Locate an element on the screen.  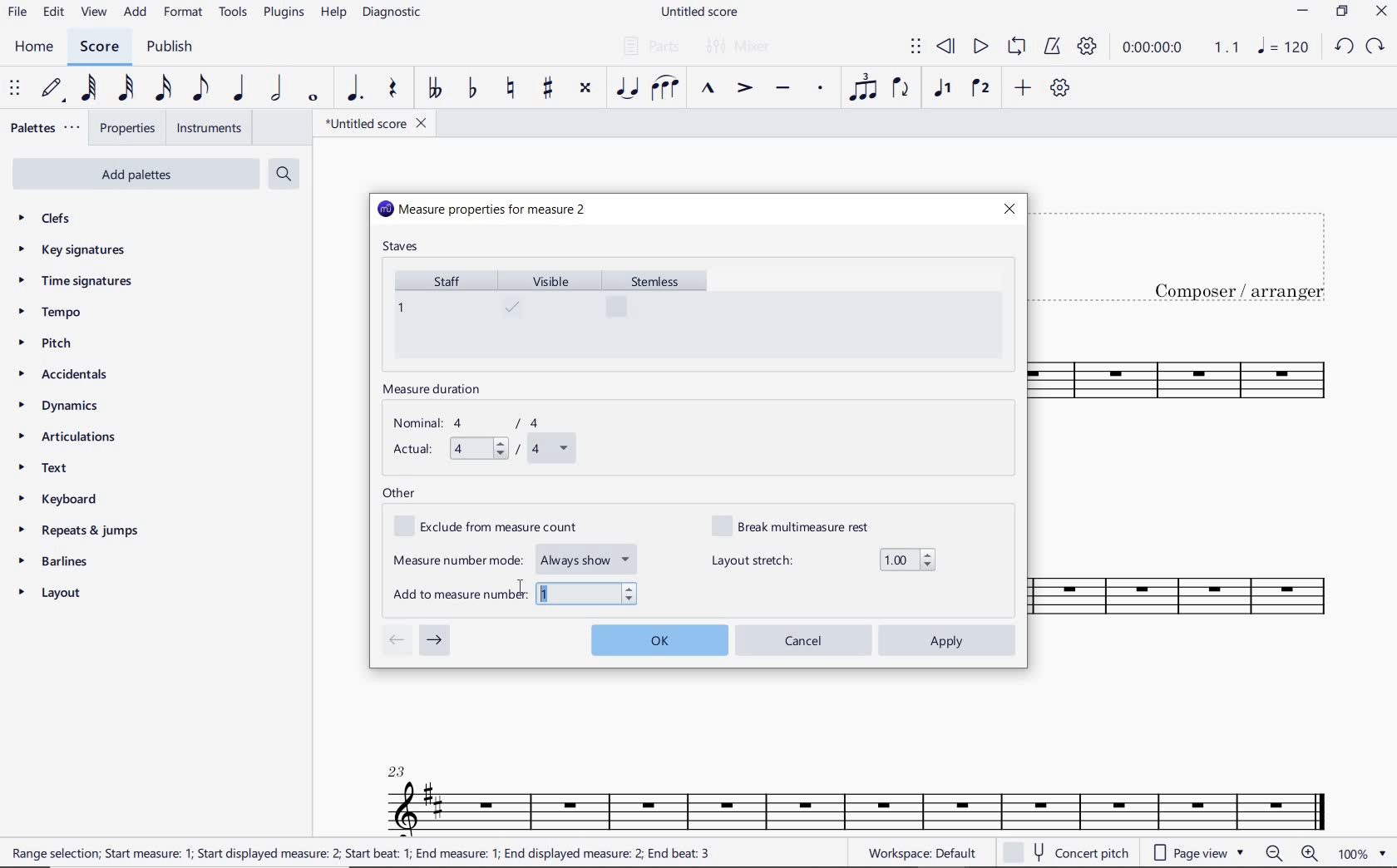
HALF NOTE is located at coordinates (278, 89).